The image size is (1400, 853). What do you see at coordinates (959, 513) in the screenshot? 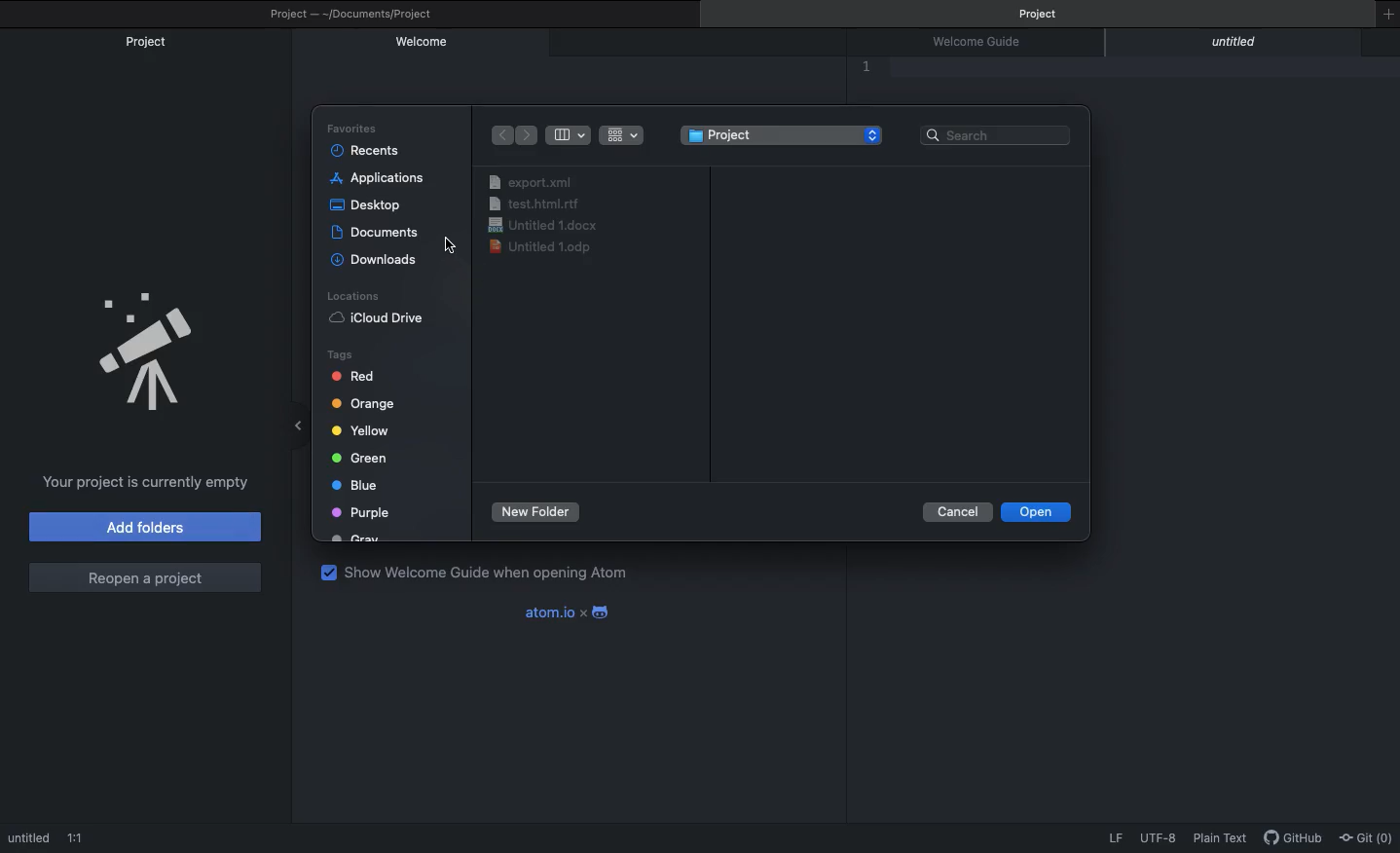
I see `Cancel ` at bounding box center [959, 513].